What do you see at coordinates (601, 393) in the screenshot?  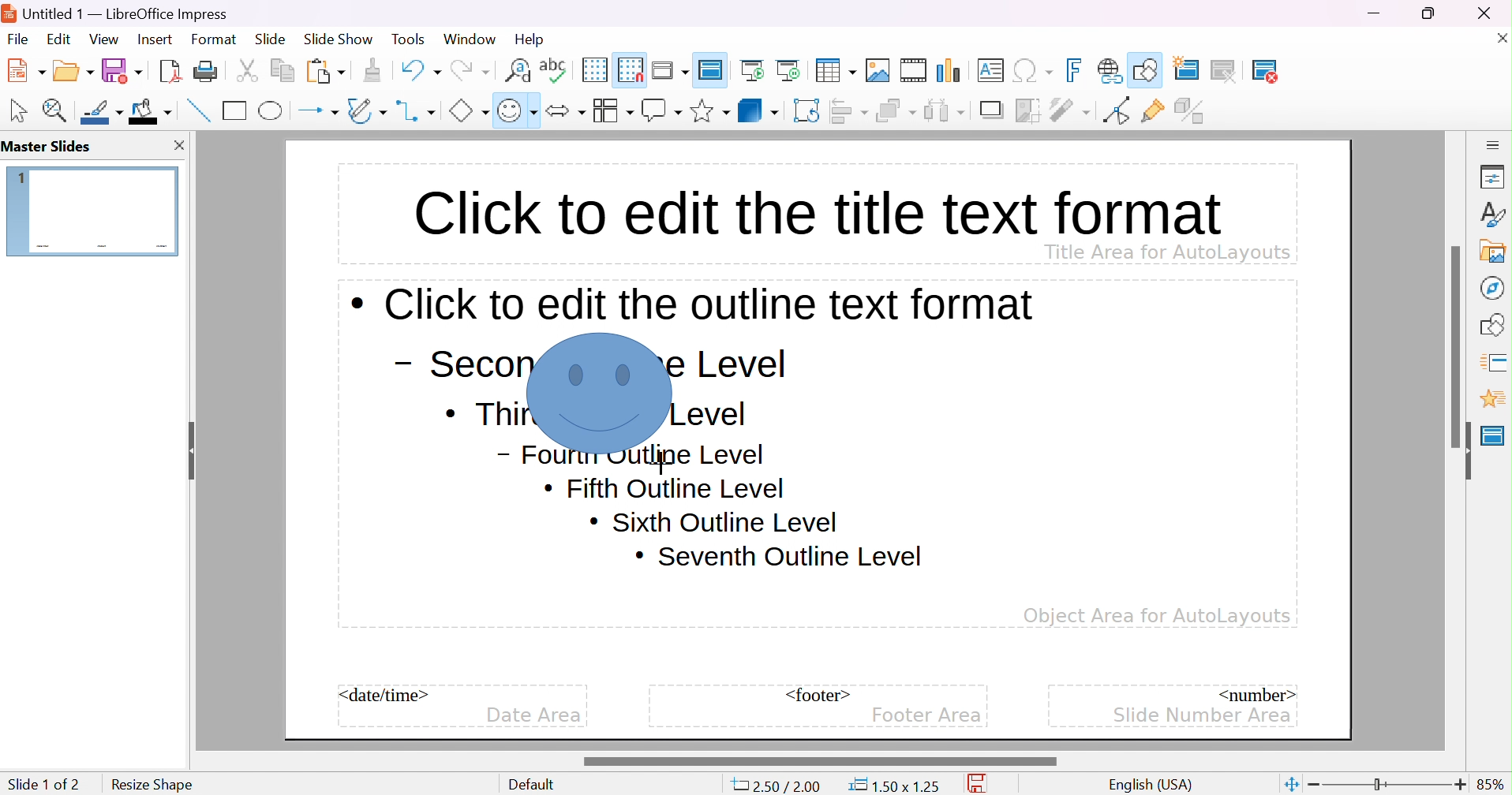 I see `symbol` at bounding box center [601, 393].